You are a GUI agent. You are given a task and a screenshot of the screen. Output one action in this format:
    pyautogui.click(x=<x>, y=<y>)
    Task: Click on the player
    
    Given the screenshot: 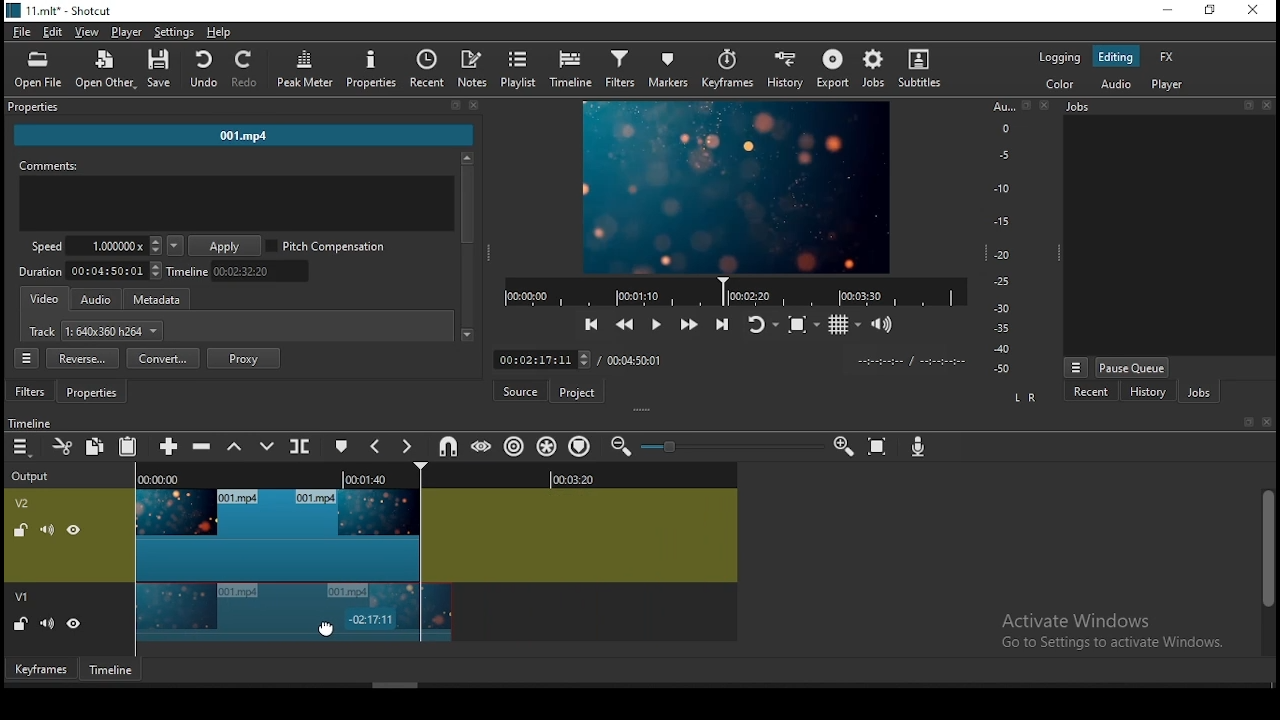 What is the action you would take?
    pyautogui.click(x=1172, y=86)
    